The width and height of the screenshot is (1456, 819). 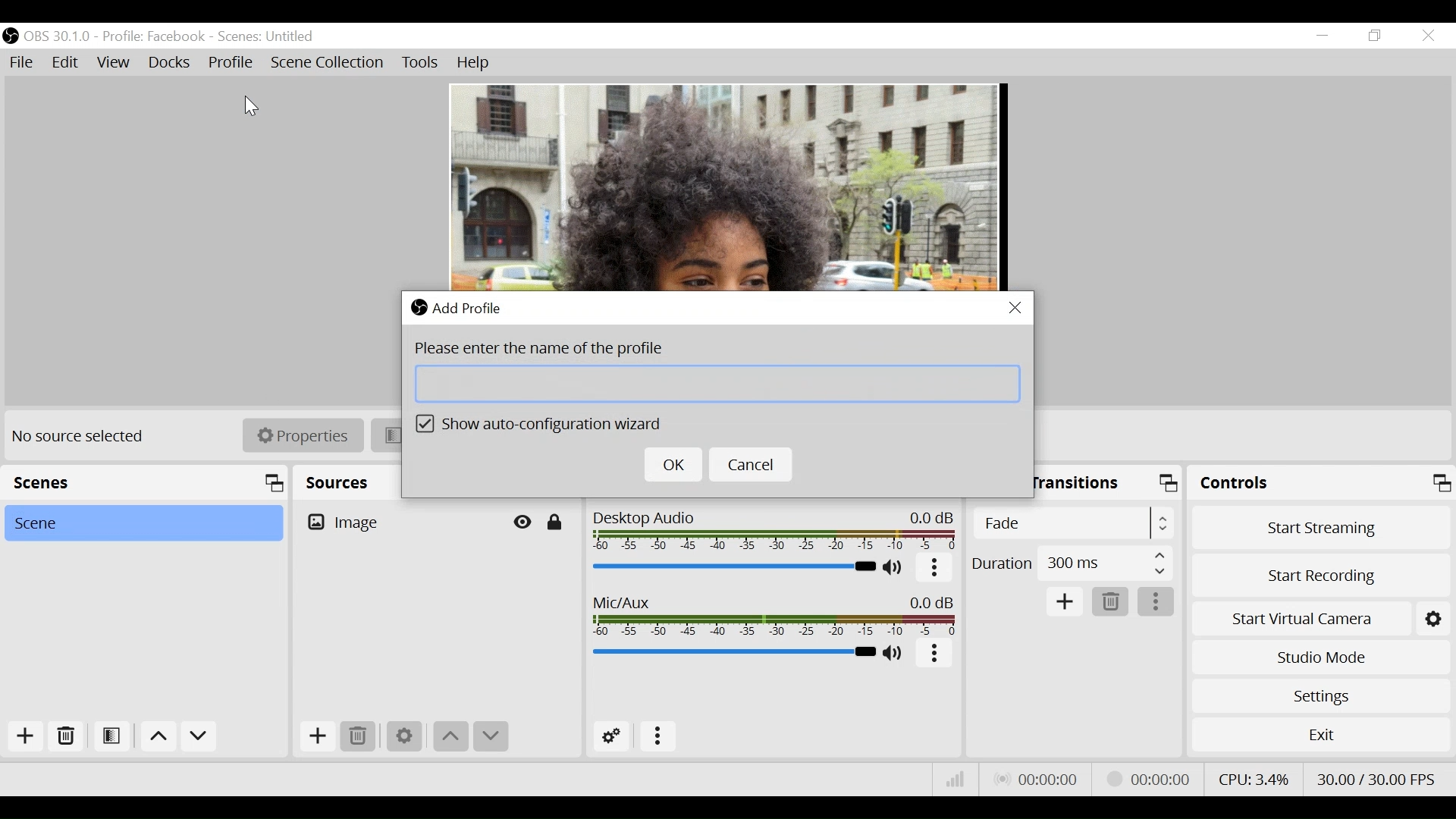 What do you see at coordinates (717, 383) in the screenshot?
I see `Profile name Field` at bounding box center [717, 383].